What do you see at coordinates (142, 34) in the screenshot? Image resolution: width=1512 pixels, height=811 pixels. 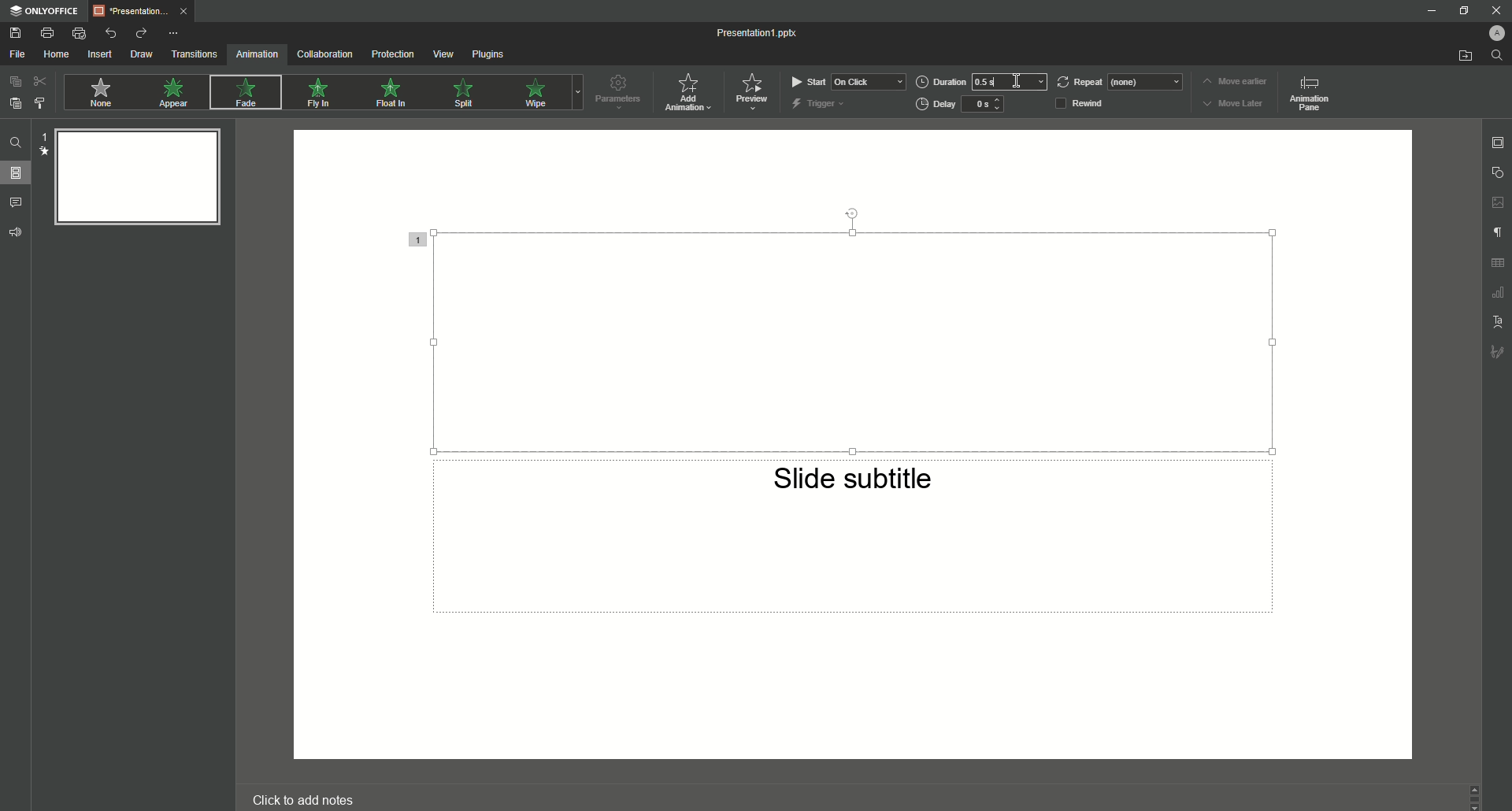 I see `Redo` at bounding box center [142, 34].